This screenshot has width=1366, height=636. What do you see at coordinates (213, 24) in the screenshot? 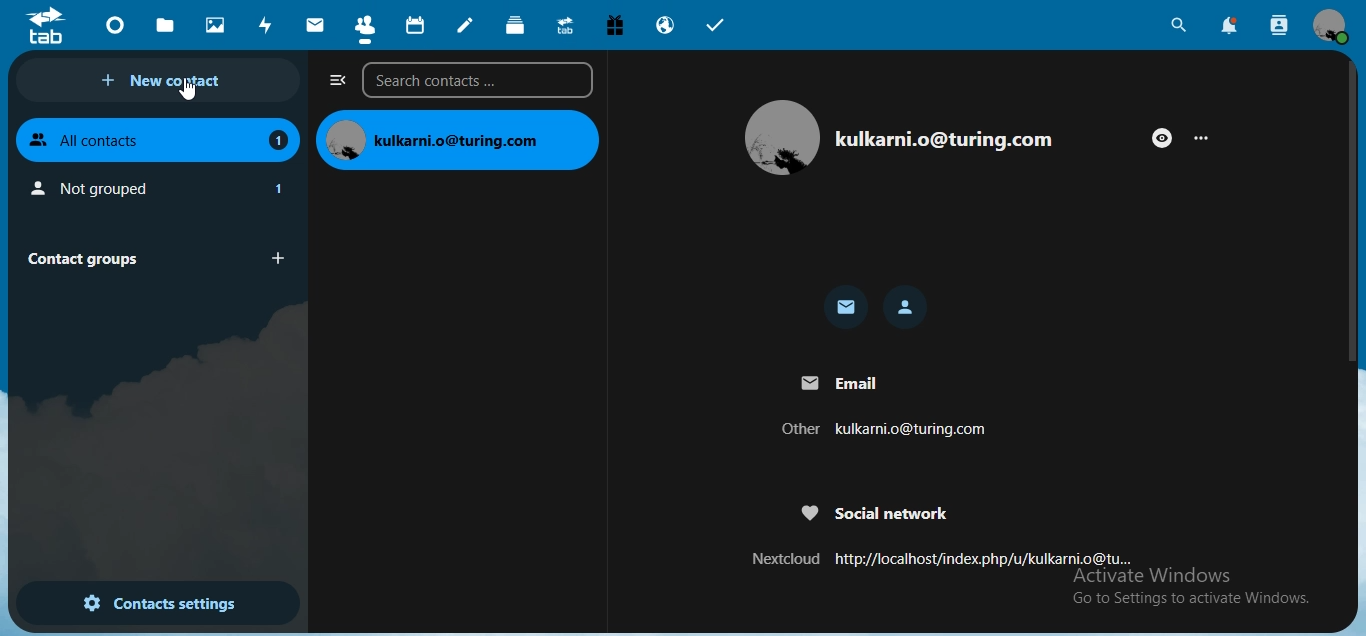
I see `photos` at bounding box center [213, 24].